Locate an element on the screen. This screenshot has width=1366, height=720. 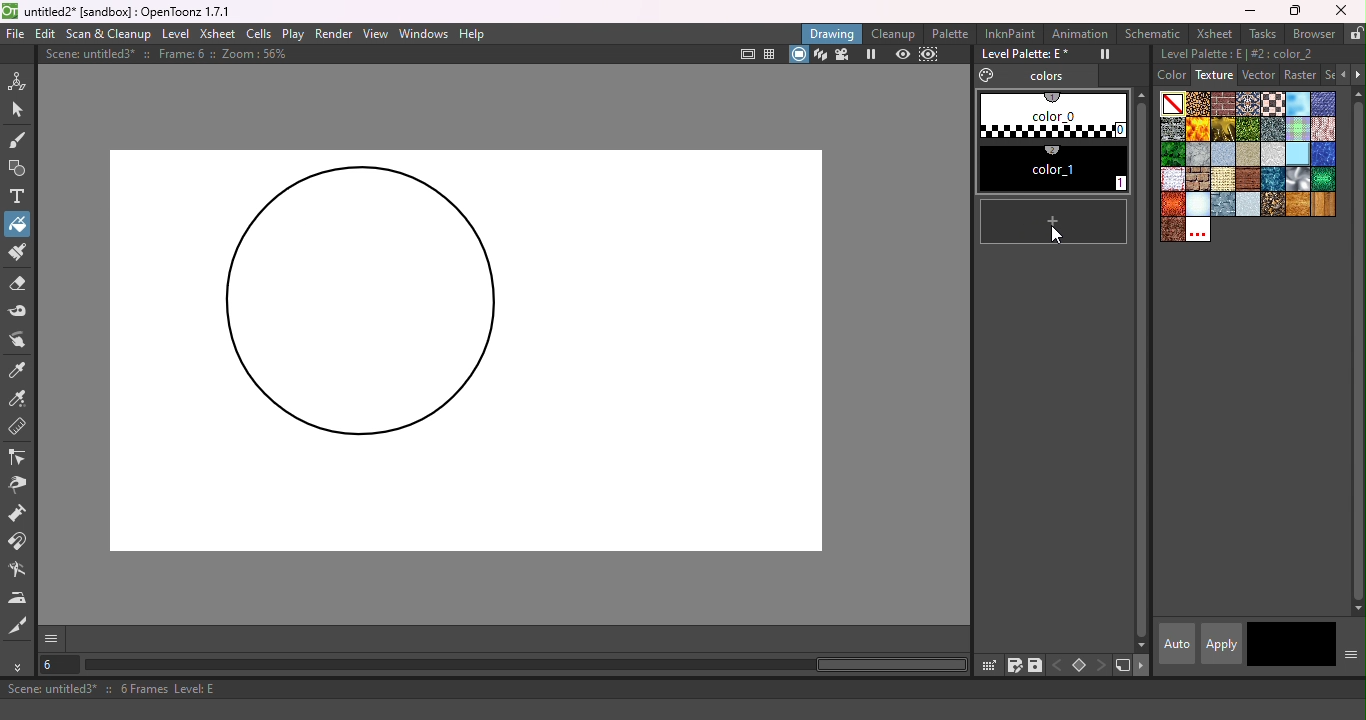
vertical scroll bar is located at coordinates (1139, 369).